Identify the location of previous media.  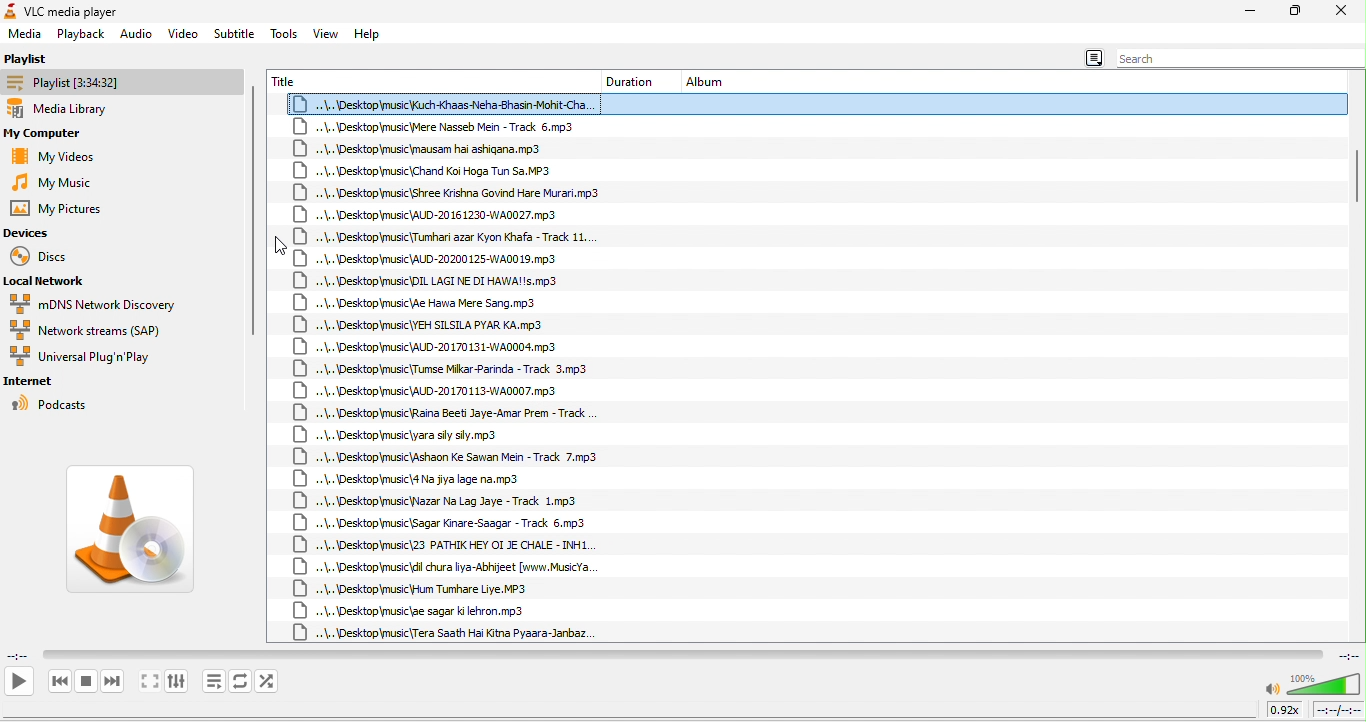
(59, 682).